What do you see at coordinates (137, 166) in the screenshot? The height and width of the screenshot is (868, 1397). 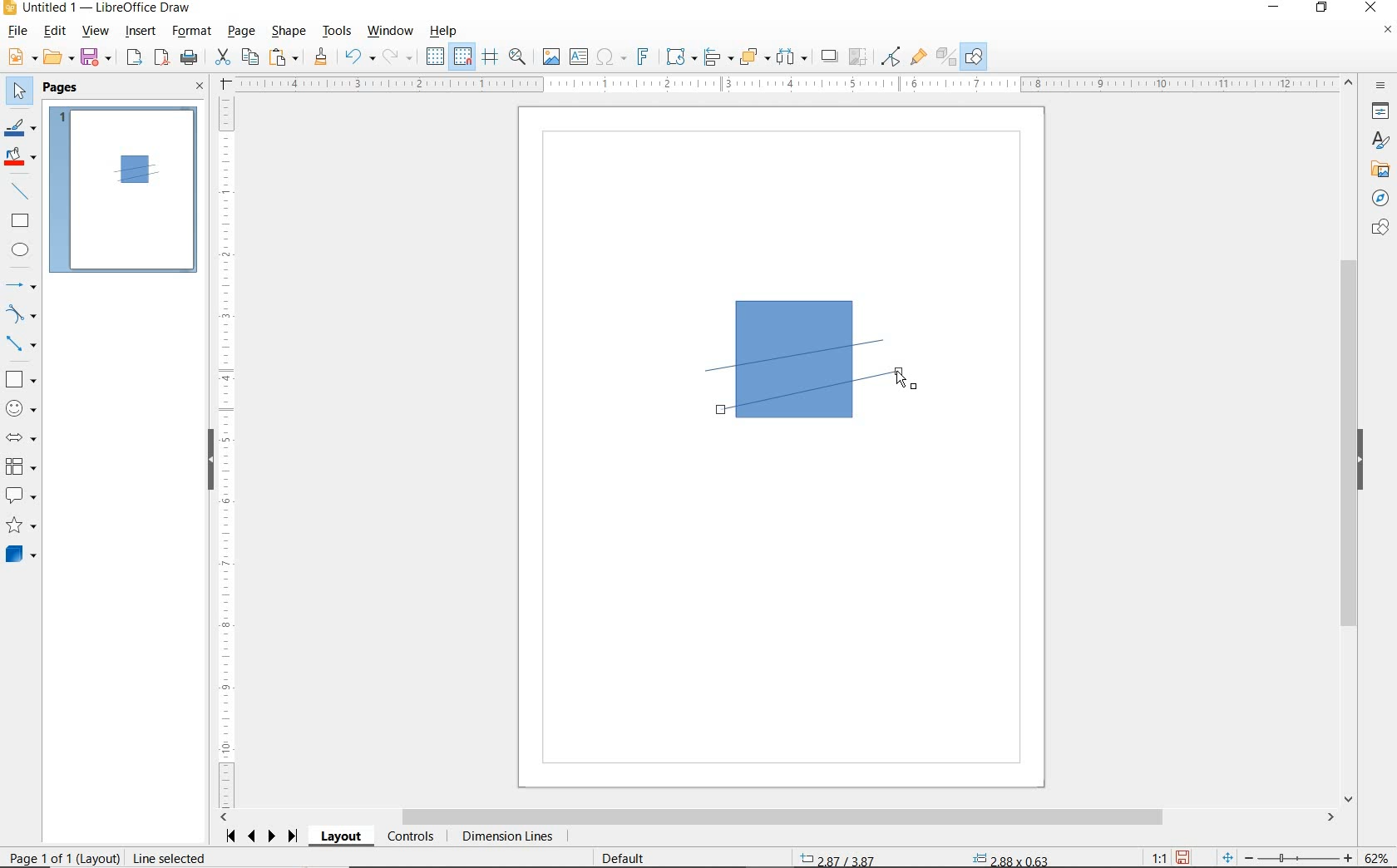 I see `square with two lines crossing inside` at bounding box center [137, 166].